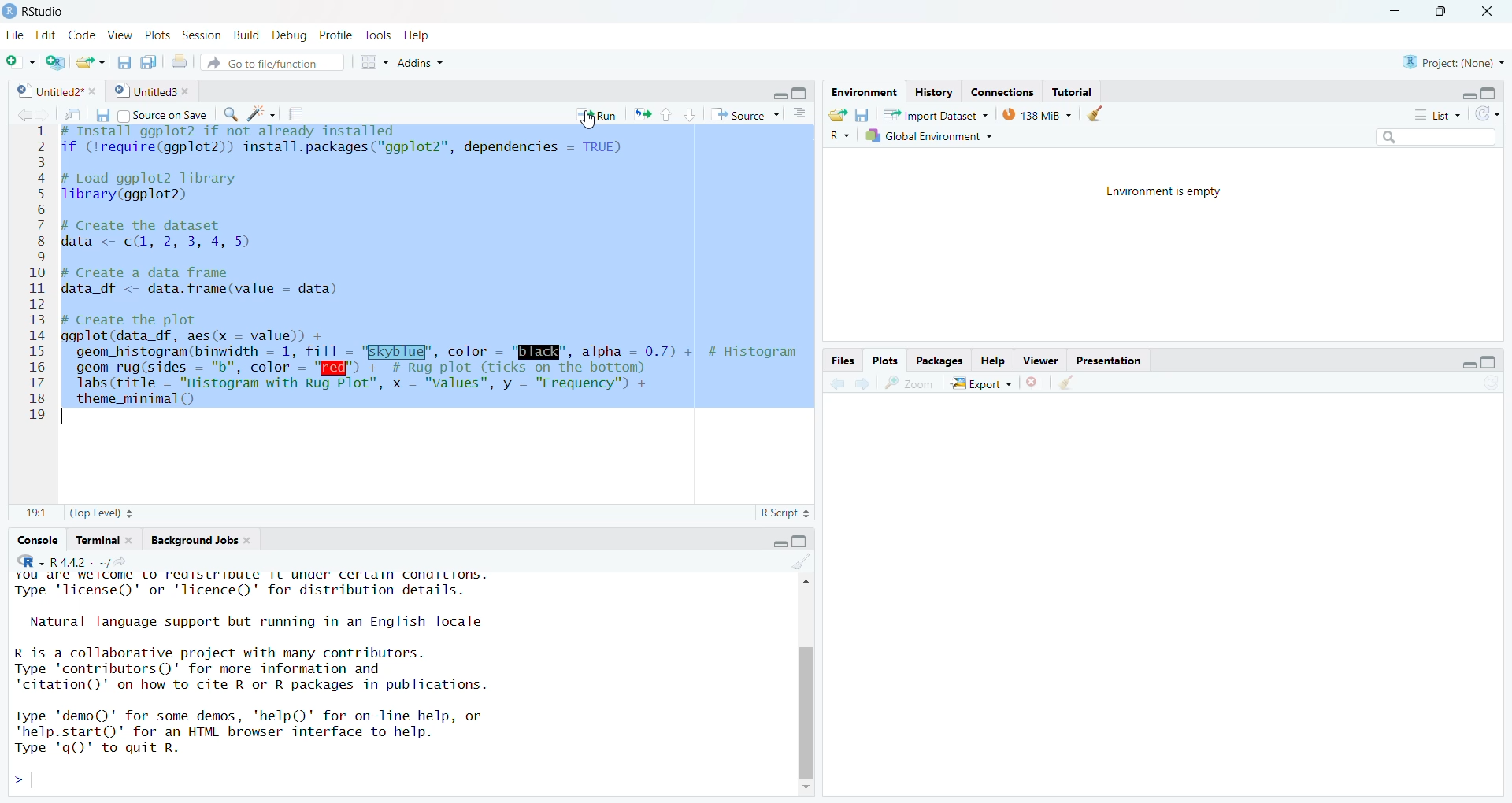 The width and height of the screenshot is (1512, 803). Describe the element at coordinates (228, 113) in the screenshot. I see `Find replace` at that location.